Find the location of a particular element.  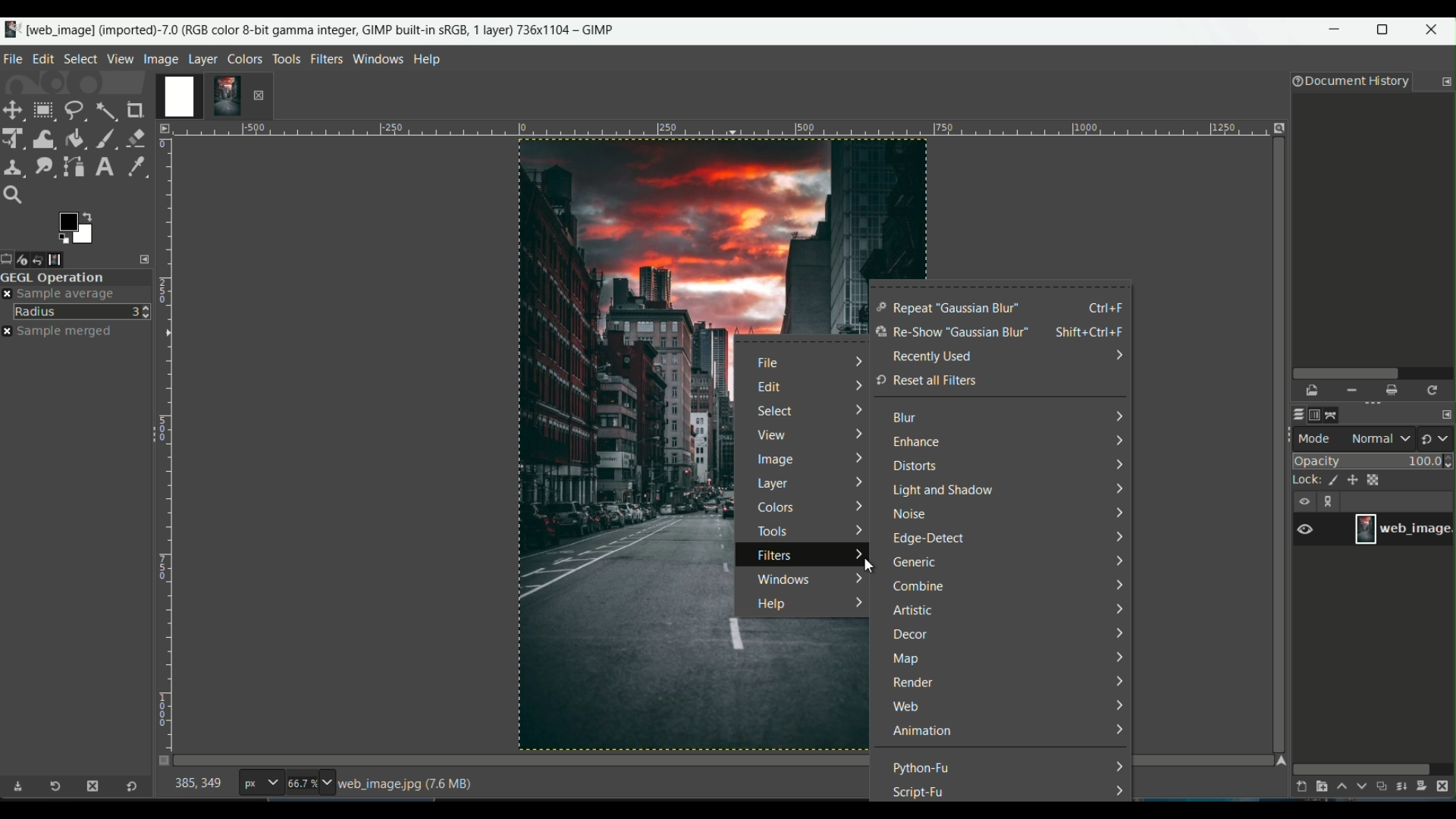

configure this tab is located at coordinates (1446, 82).